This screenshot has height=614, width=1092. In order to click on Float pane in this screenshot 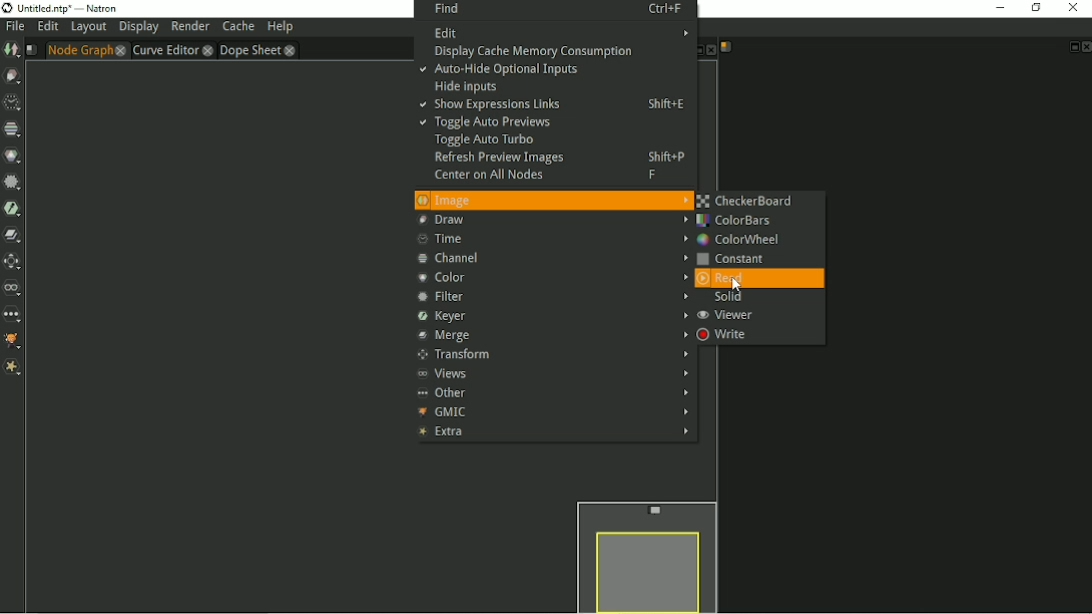, I will do `click(694, 51)`.